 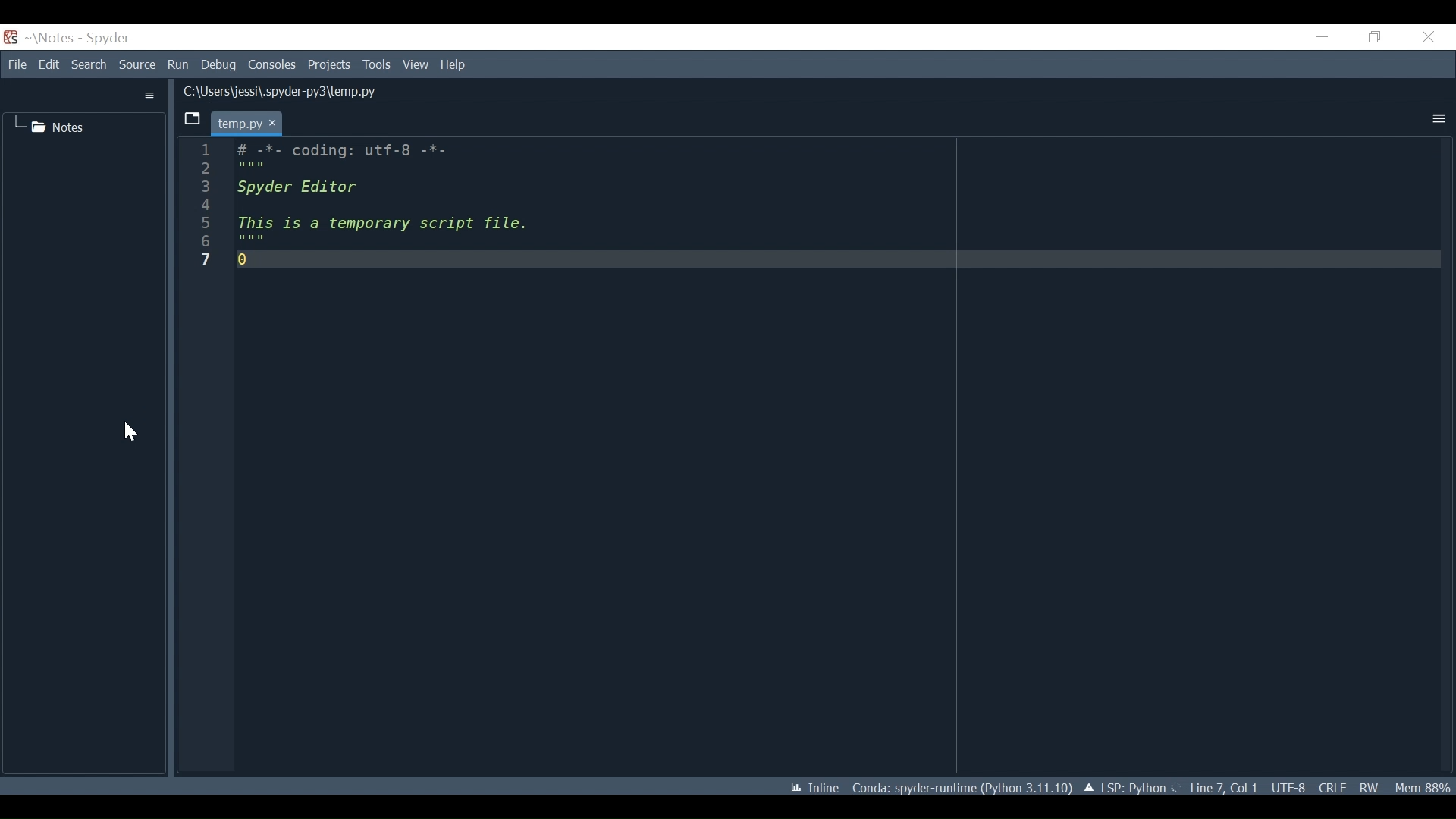 I want to click on Minimize, so click(x=1318, y=38).